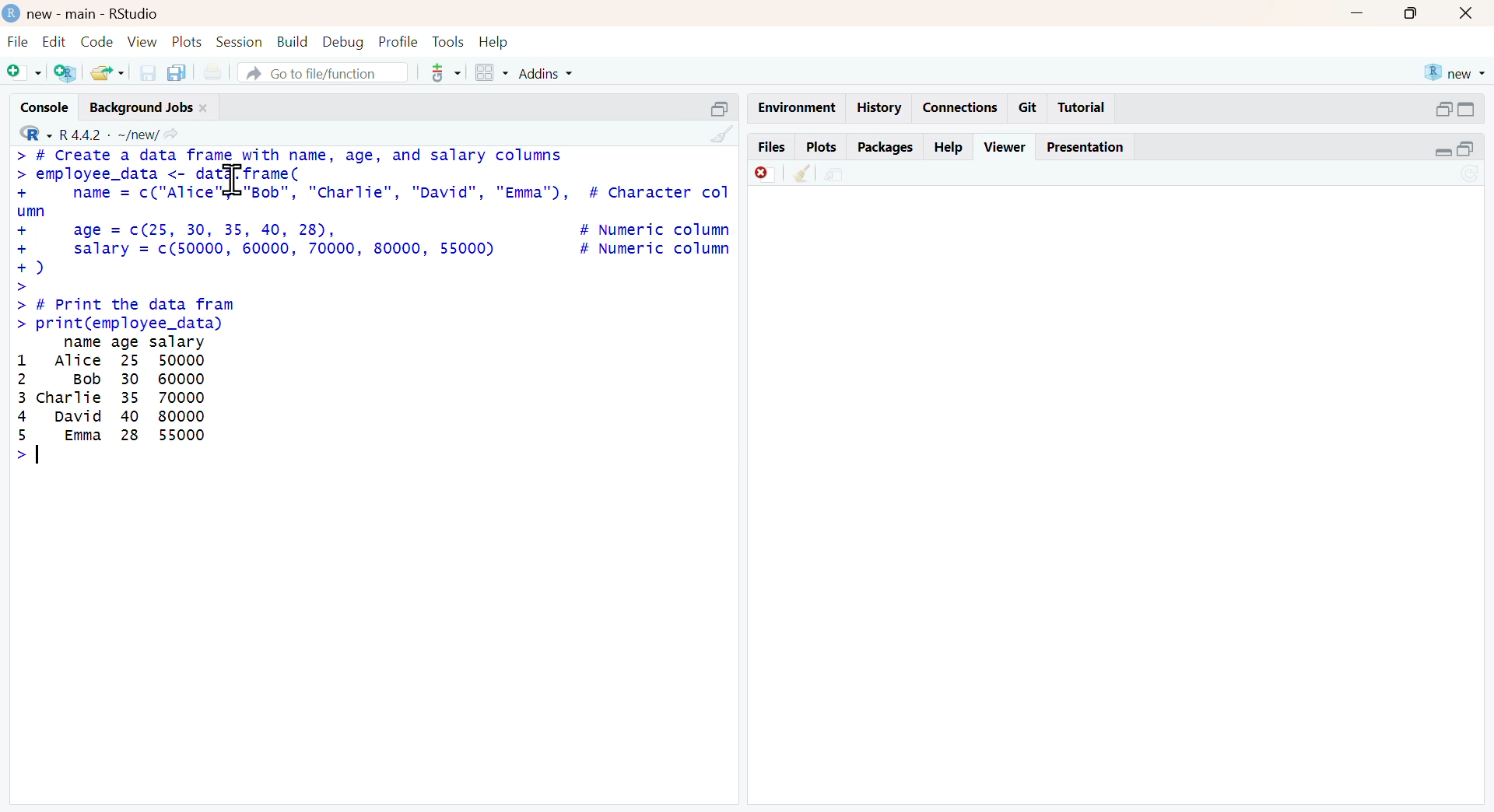 The image size is (1494, 812). What do you see at coordinates (1455, 70) in the screenshot?
I see `new R project` at bounding box center [1455, 70].